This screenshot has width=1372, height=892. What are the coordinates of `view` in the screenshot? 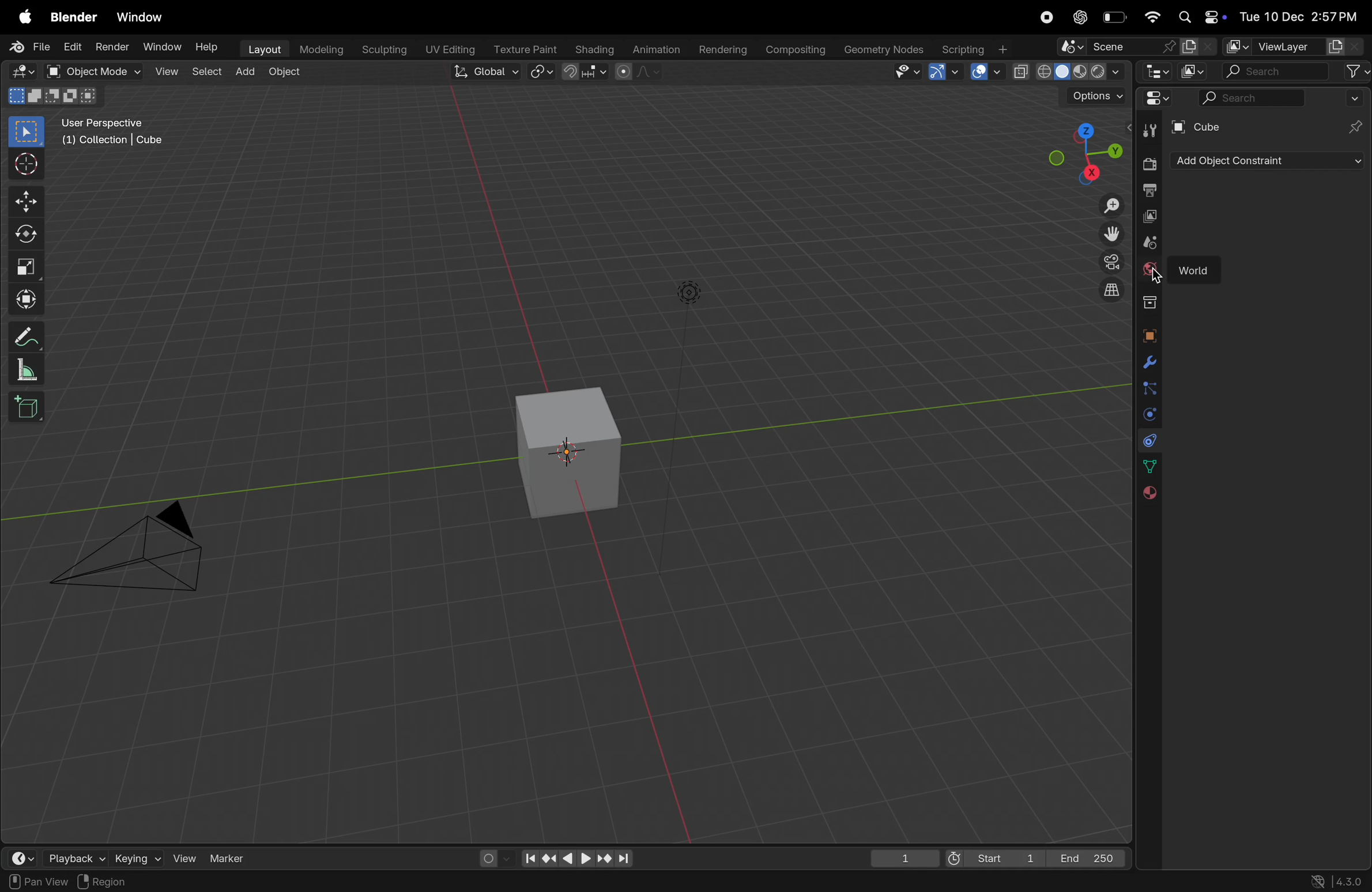 It's located at (184, 858).